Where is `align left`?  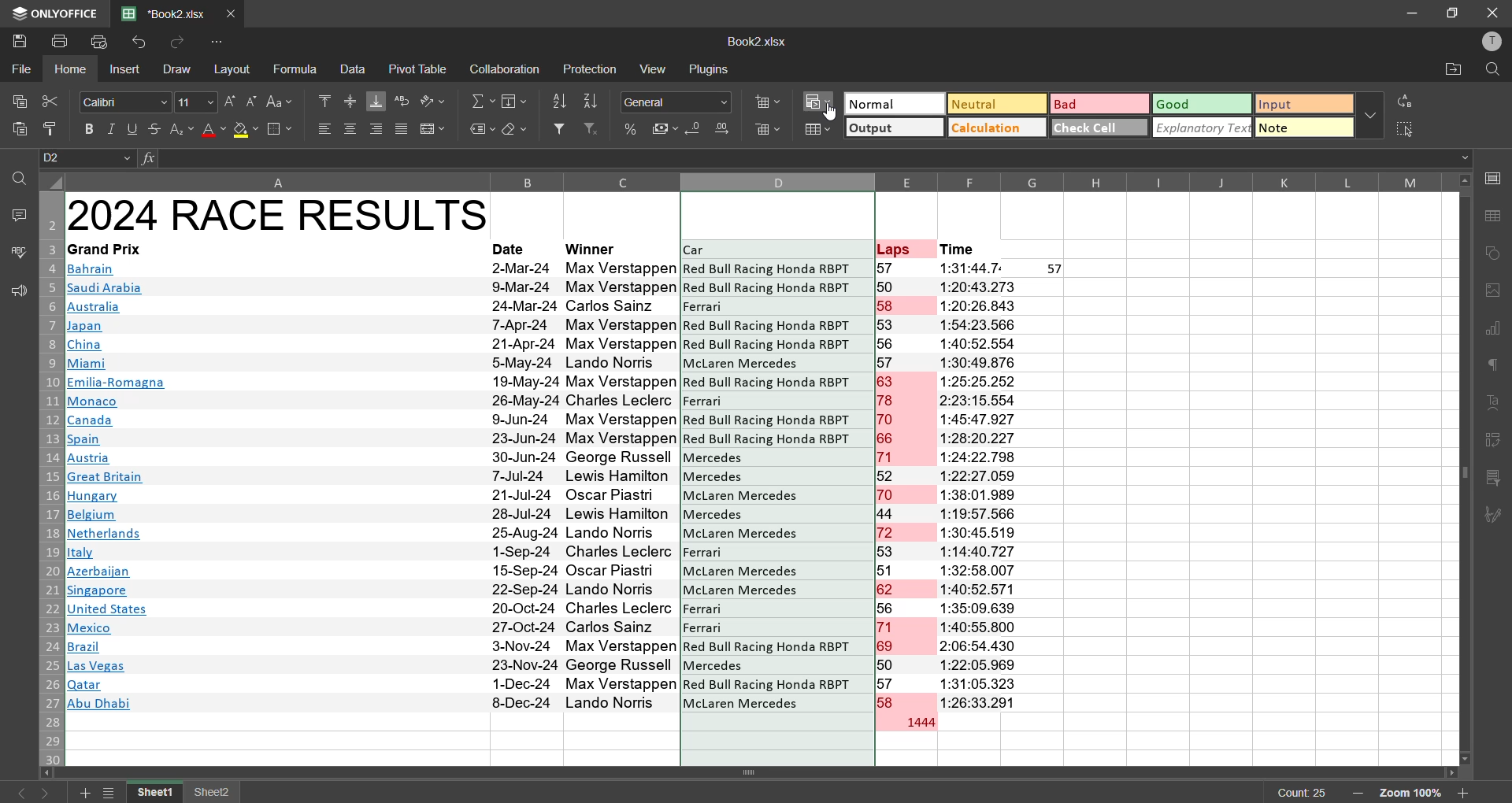 align left is located at coordinates (324, 128).